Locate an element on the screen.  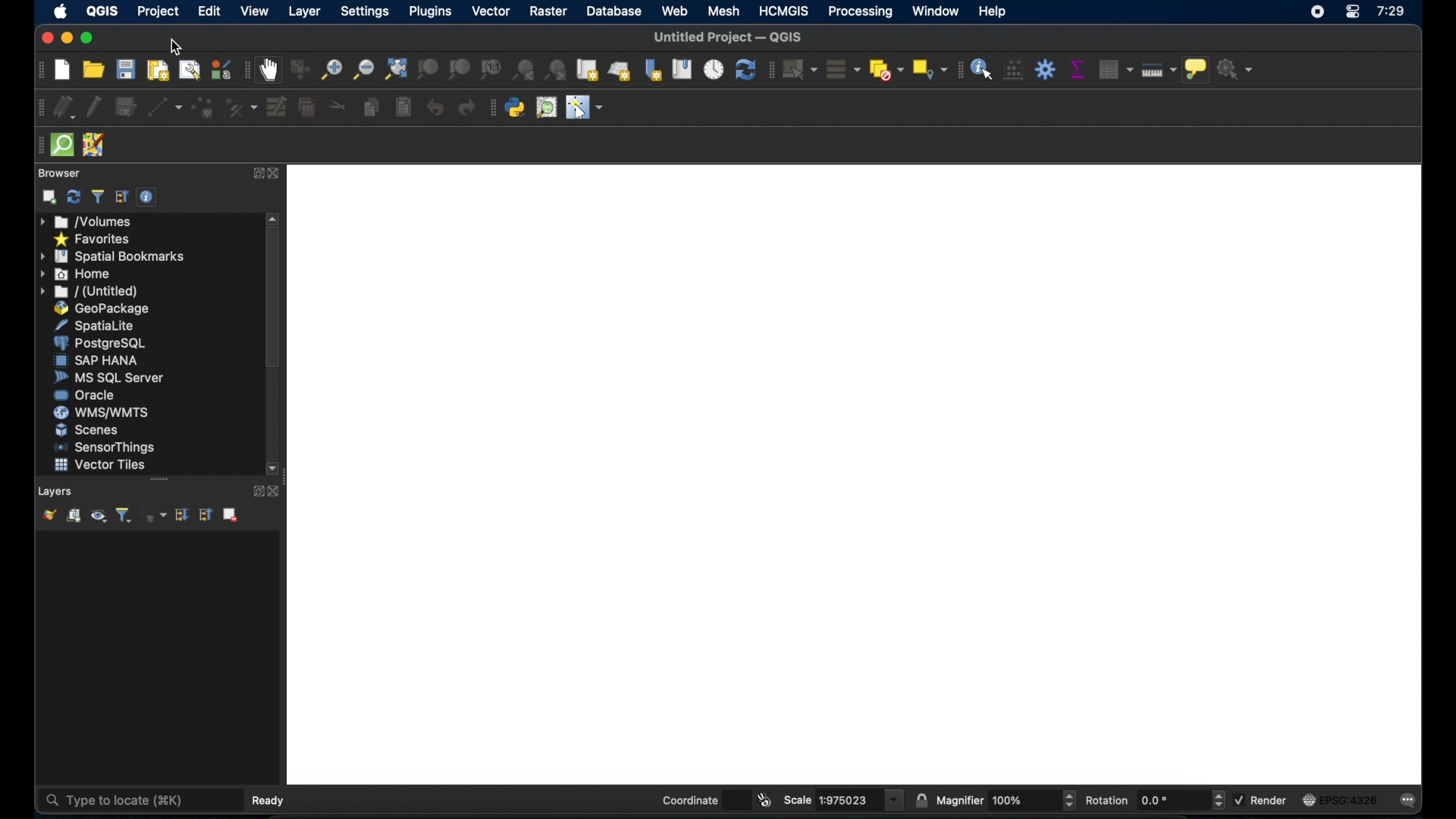
web is located at coordinates (673, 11).